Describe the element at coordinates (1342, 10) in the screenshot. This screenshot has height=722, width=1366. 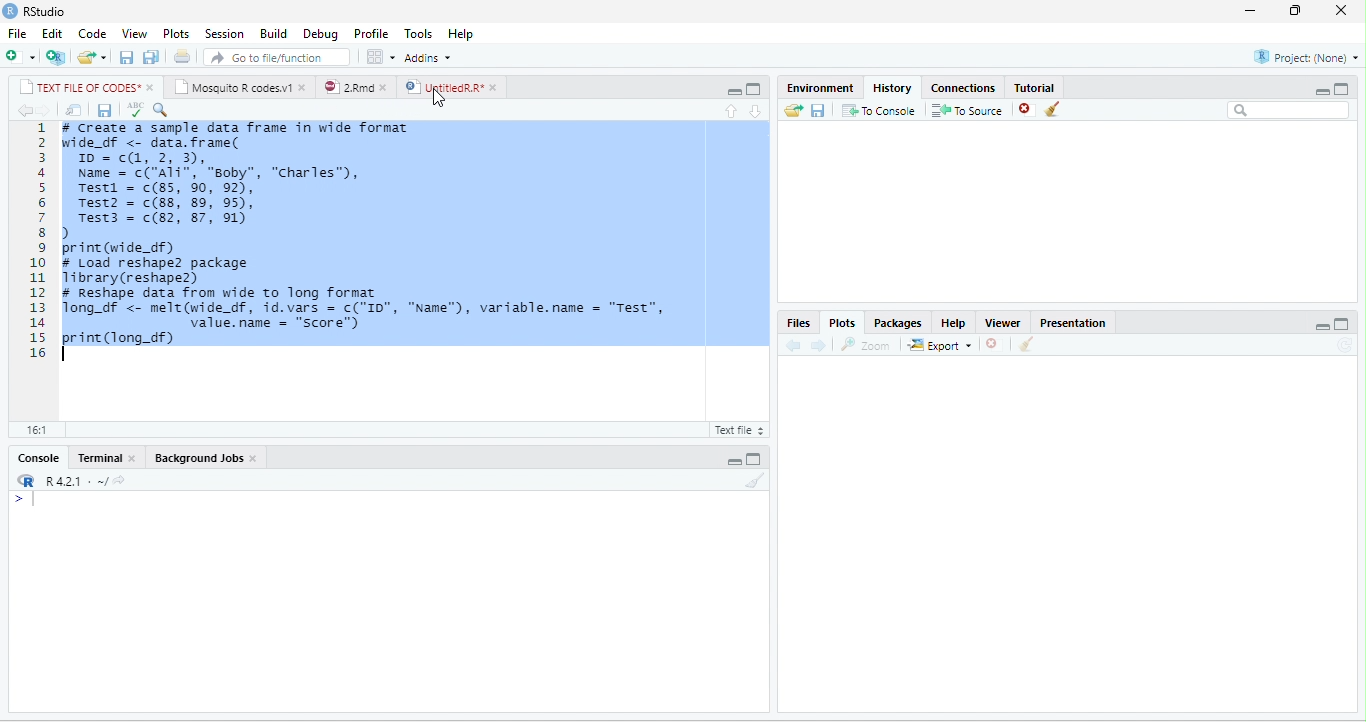
I see `close` at that location.